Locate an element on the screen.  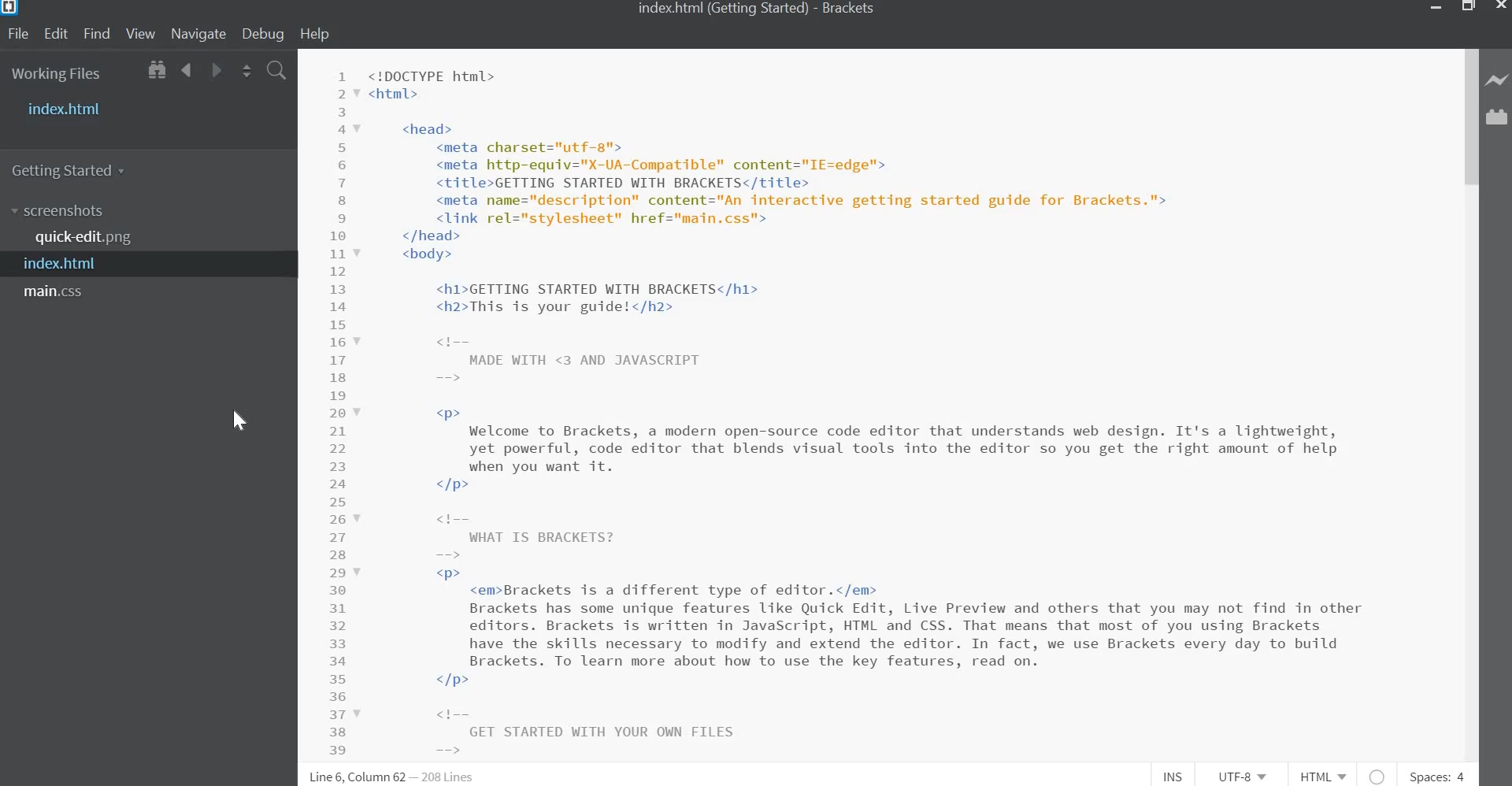
Editor Area is located at coordinates (876, 404).